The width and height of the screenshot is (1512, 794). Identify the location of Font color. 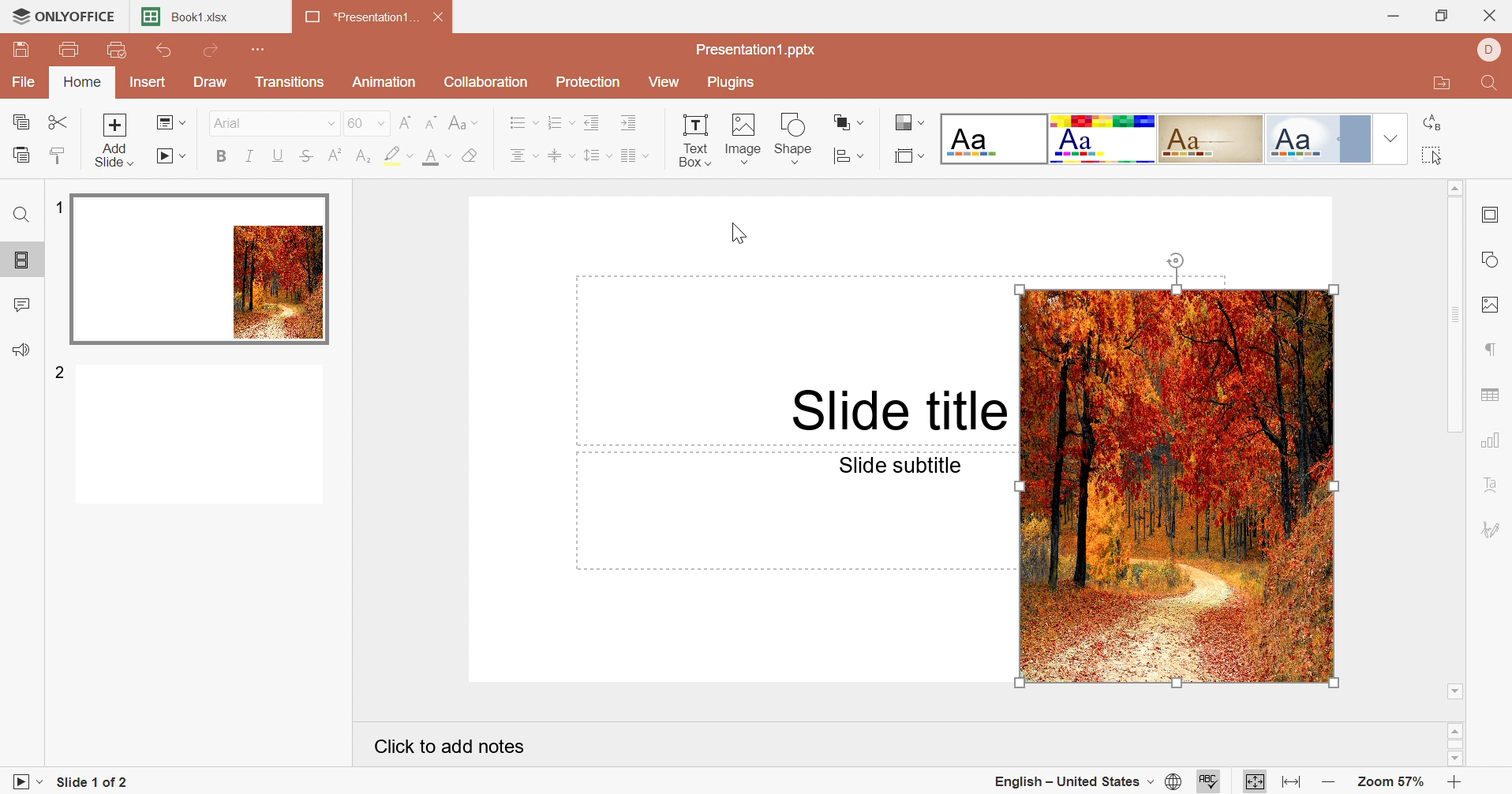
(432, 158).